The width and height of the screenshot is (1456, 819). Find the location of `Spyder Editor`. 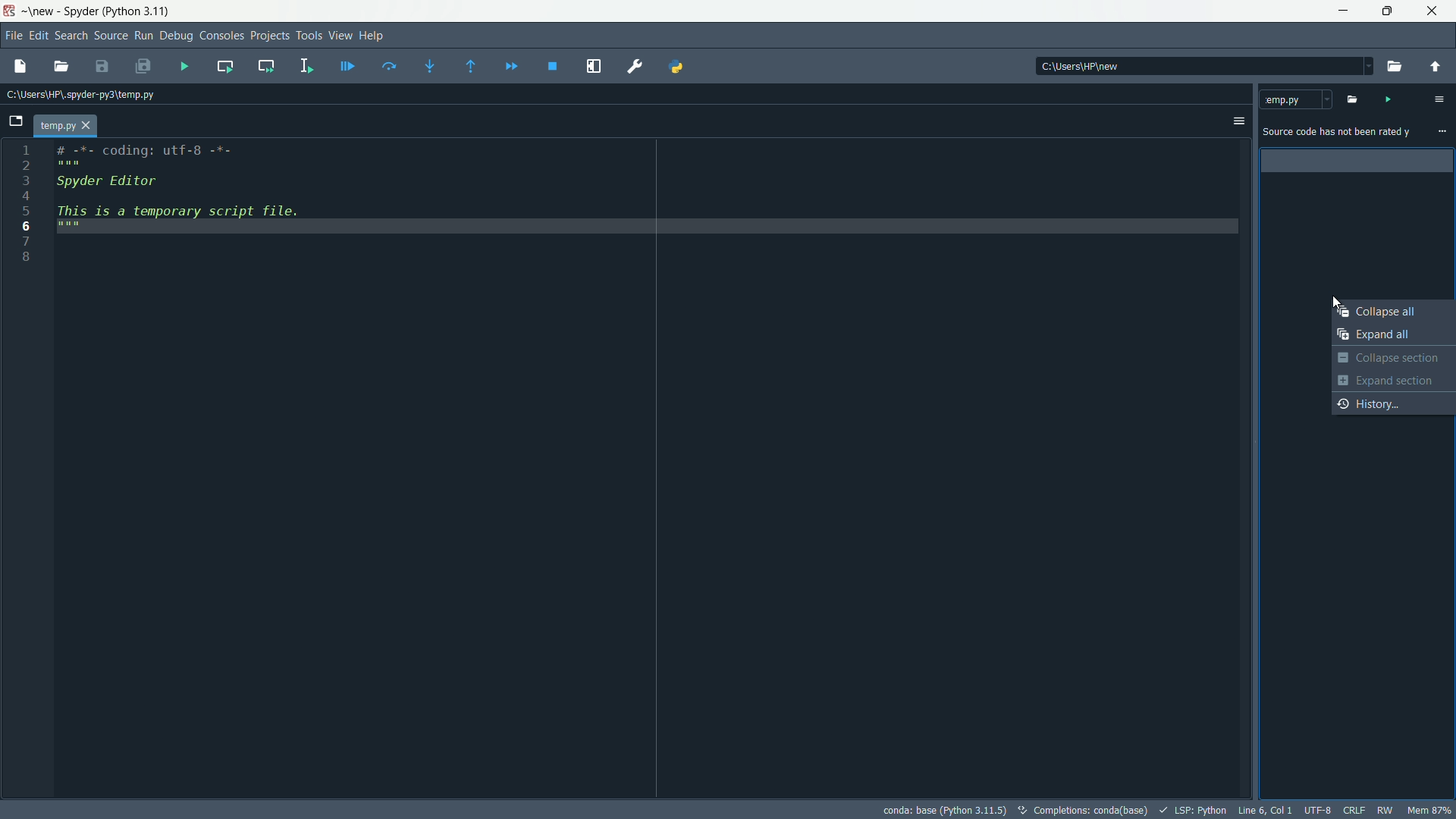

Spyder Editor is located at coordinates (104, 183).